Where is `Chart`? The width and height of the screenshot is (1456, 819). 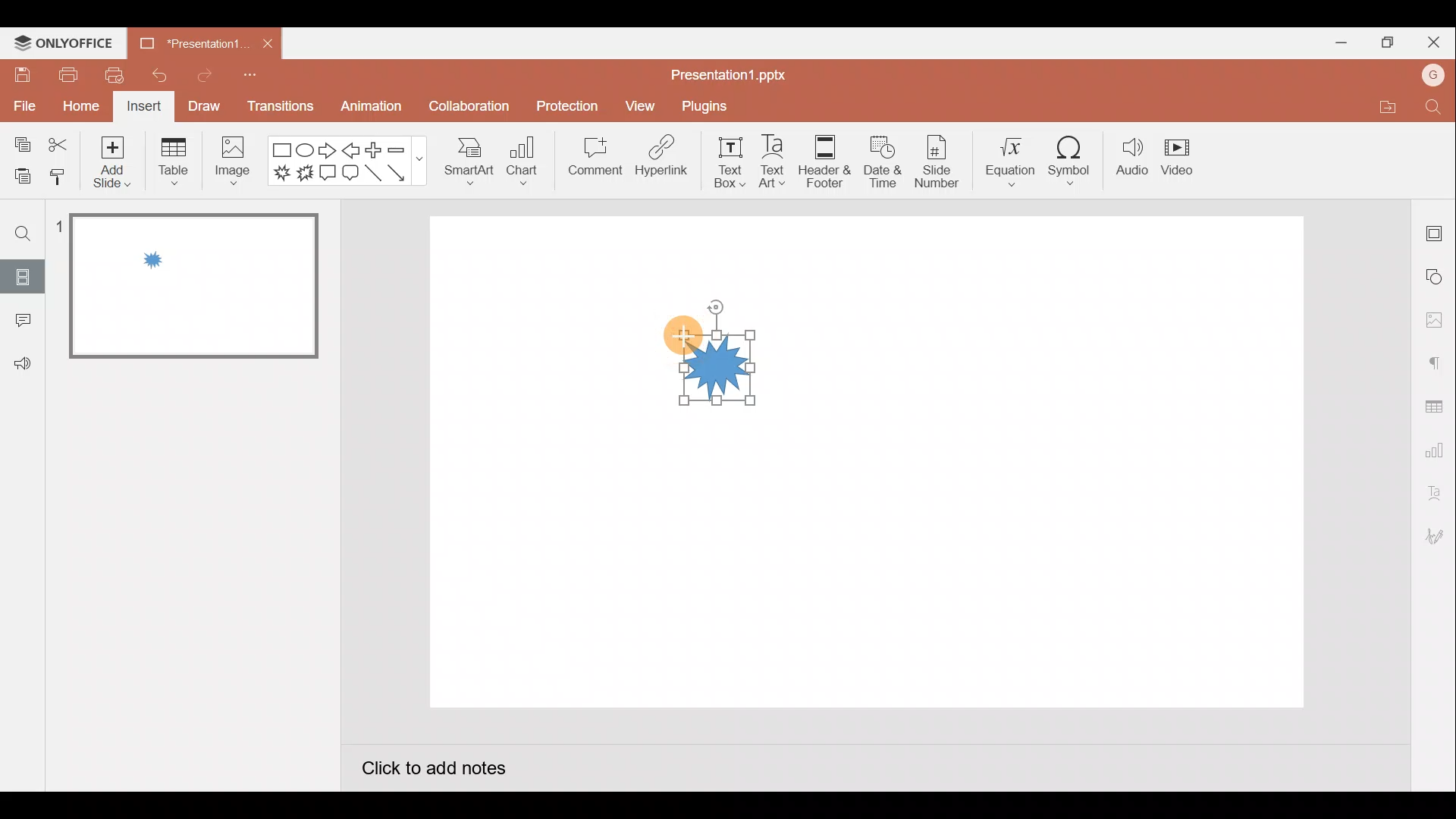
Chart is located at coordinates (529, 165).